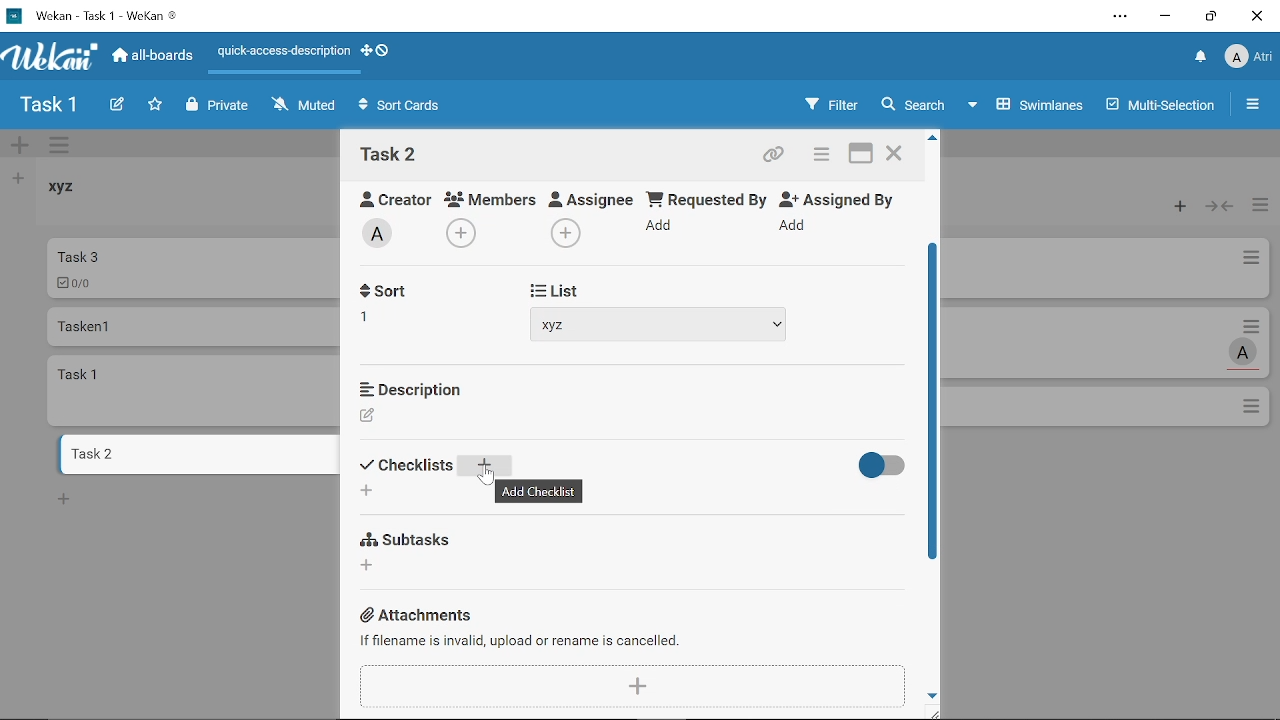 The width and height of the screenshot is (1280, 720). I want to click on Card named "Tasken 1", so click(192, 326).